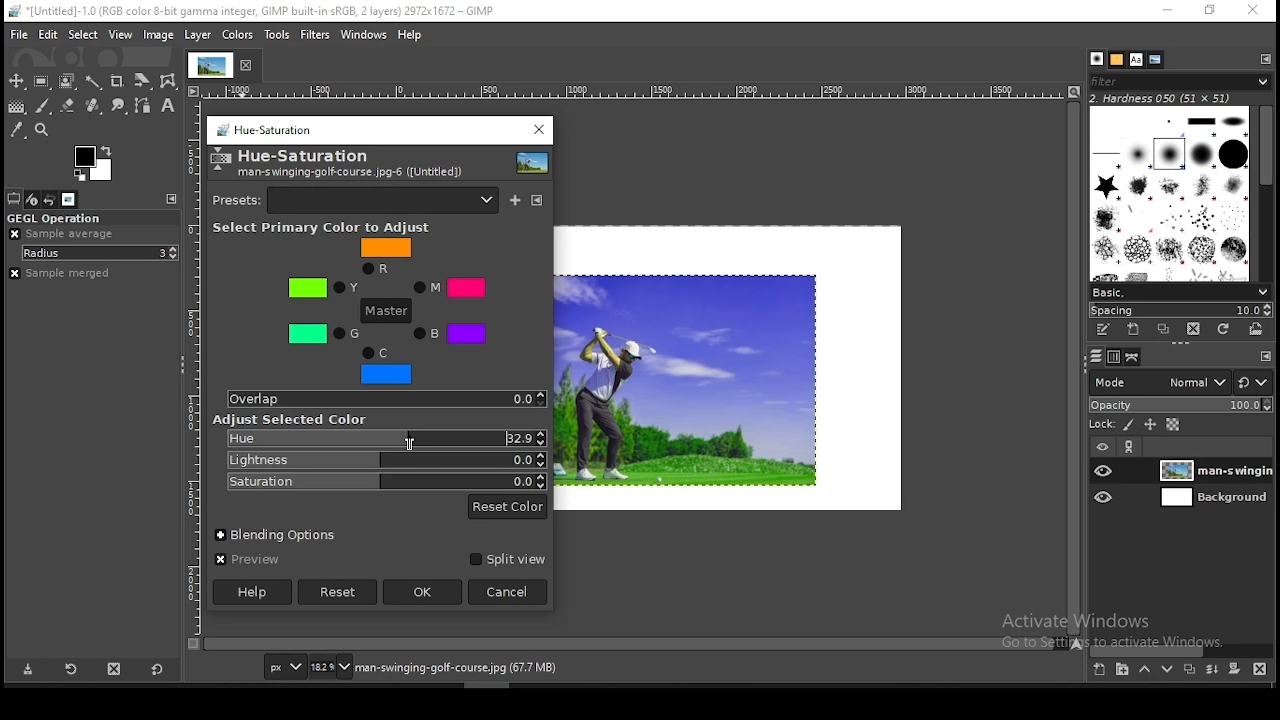 This screenshot has height=720, width=1280. I want to click on G, so click(323, 334).